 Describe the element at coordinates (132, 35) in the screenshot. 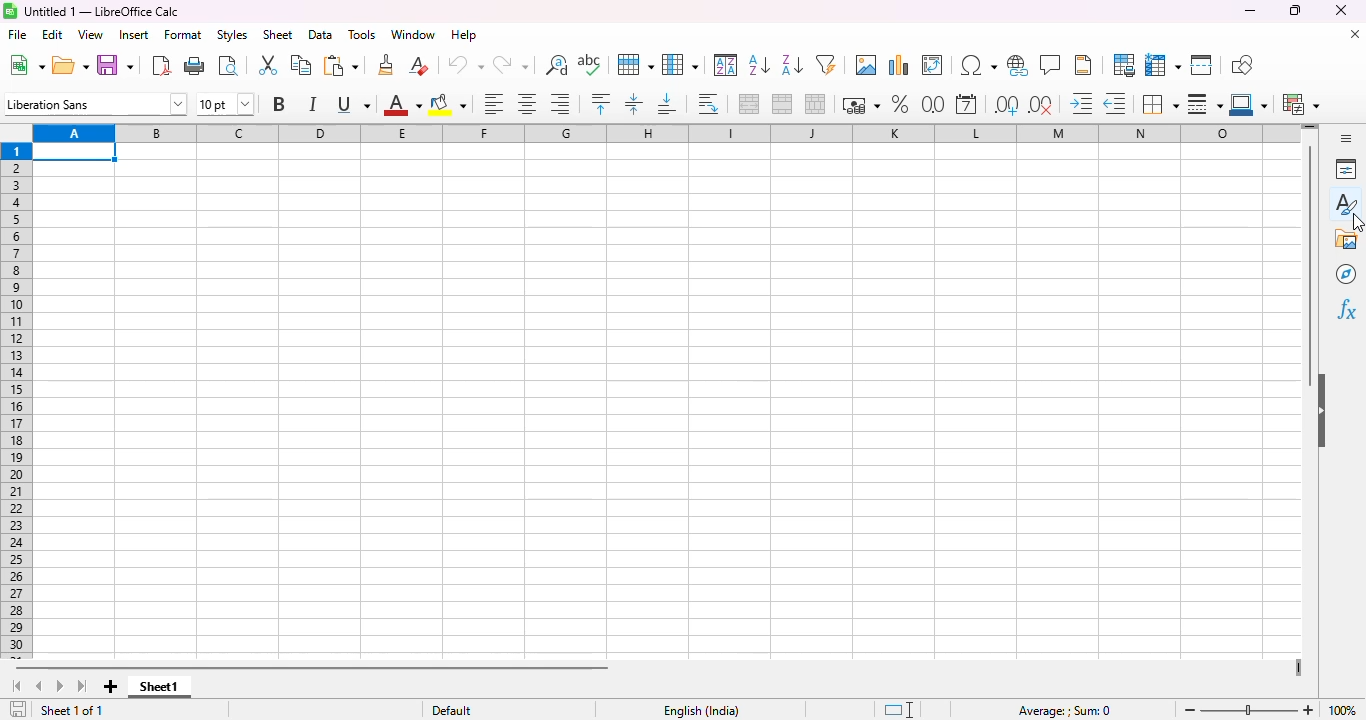

I see `insert` at that location.